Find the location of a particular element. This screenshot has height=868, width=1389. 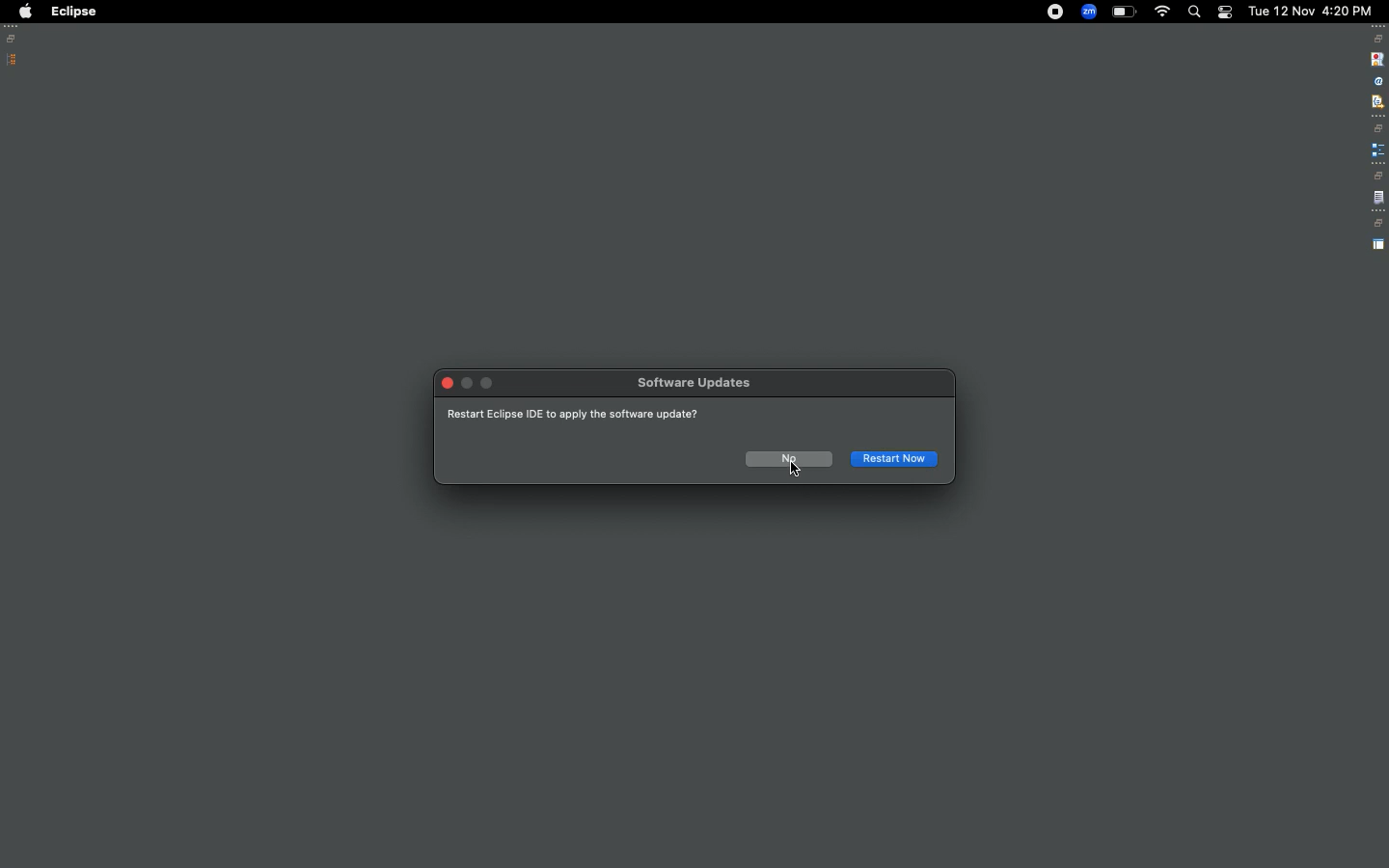

Notification is located at coordinates (1224, 13).